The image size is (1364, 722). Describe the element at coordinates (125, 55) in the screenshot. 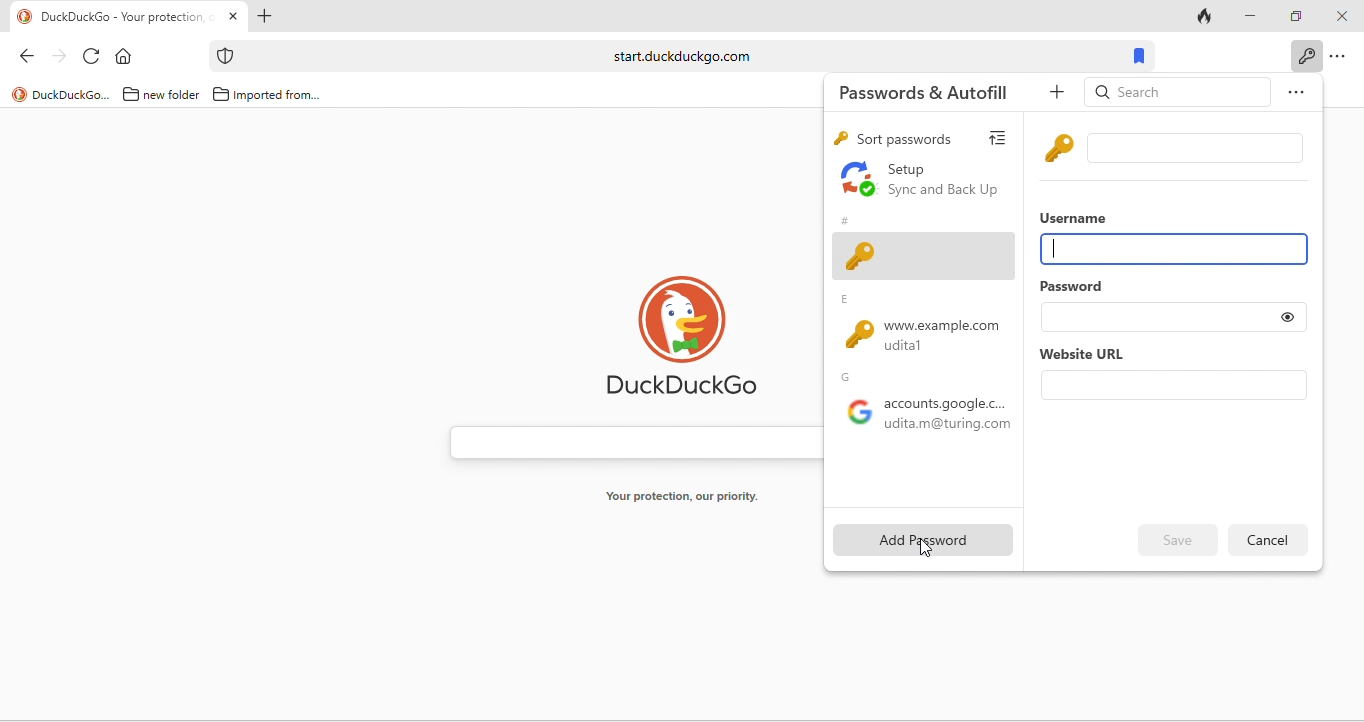

I see `home` at that location.